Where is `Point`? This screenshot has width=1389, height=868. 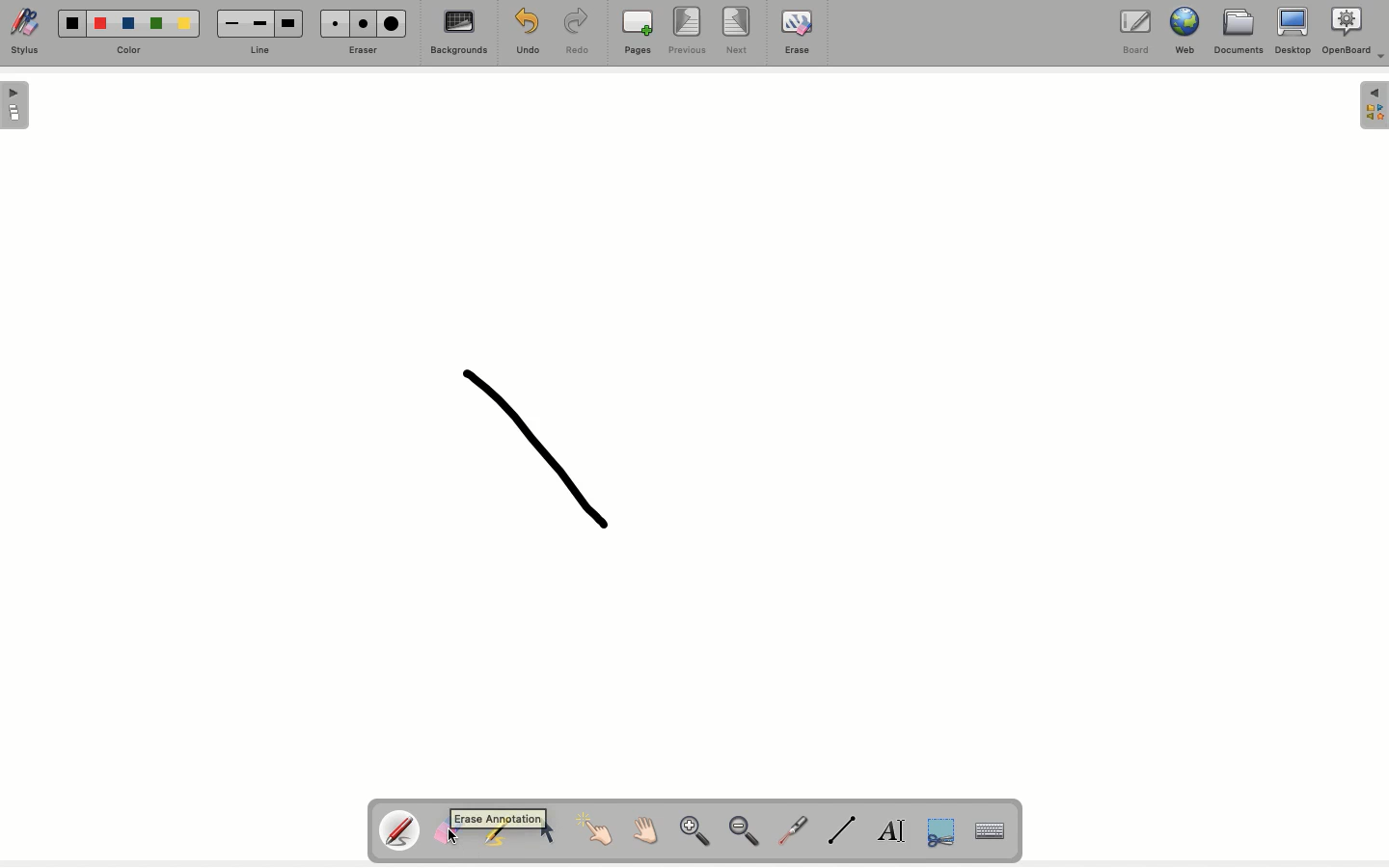 Point is located at coordinates (594, 827).